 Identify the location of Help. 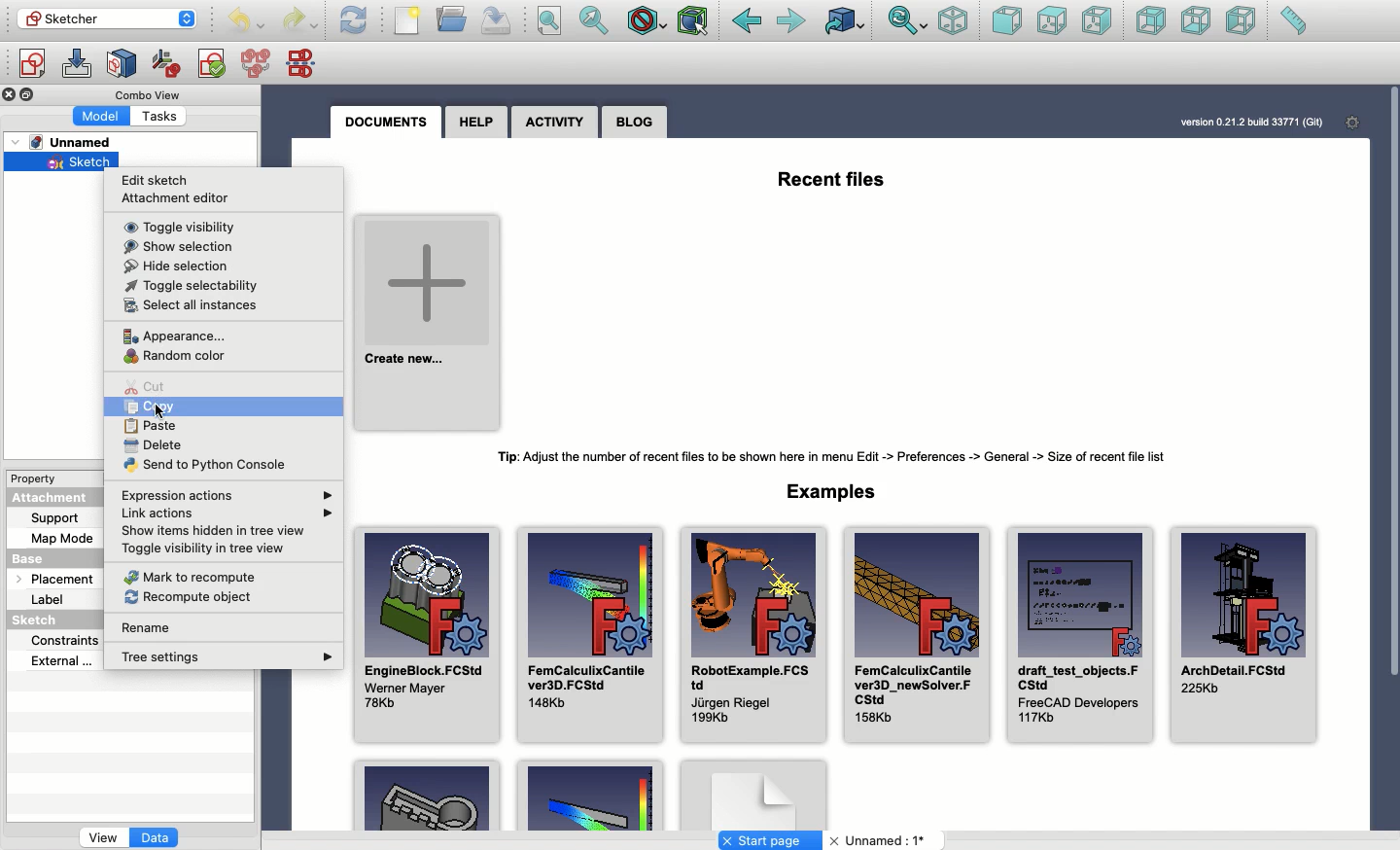
(476, 122).